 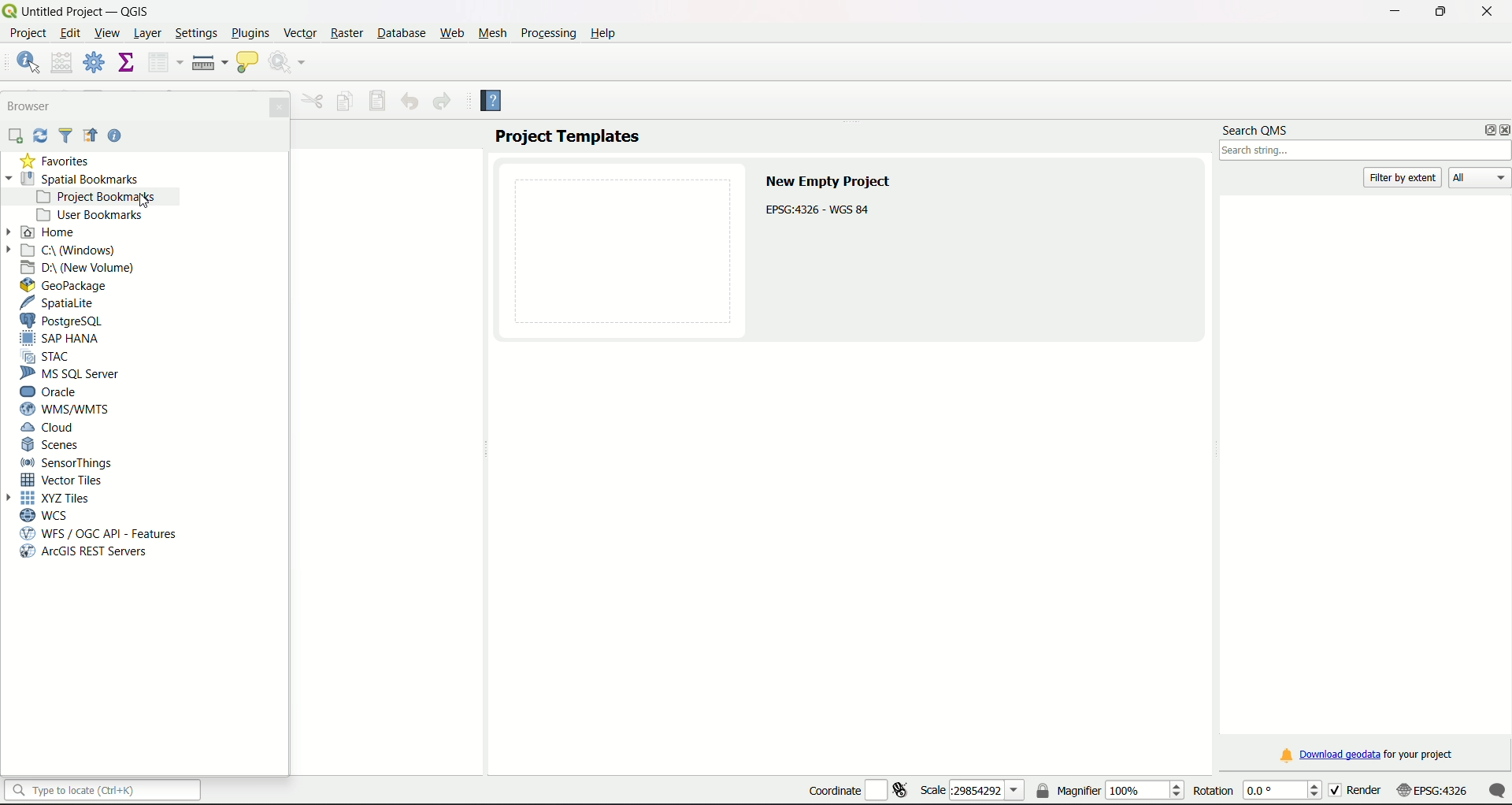 I want to click on edit, so click(x=70, y=32).